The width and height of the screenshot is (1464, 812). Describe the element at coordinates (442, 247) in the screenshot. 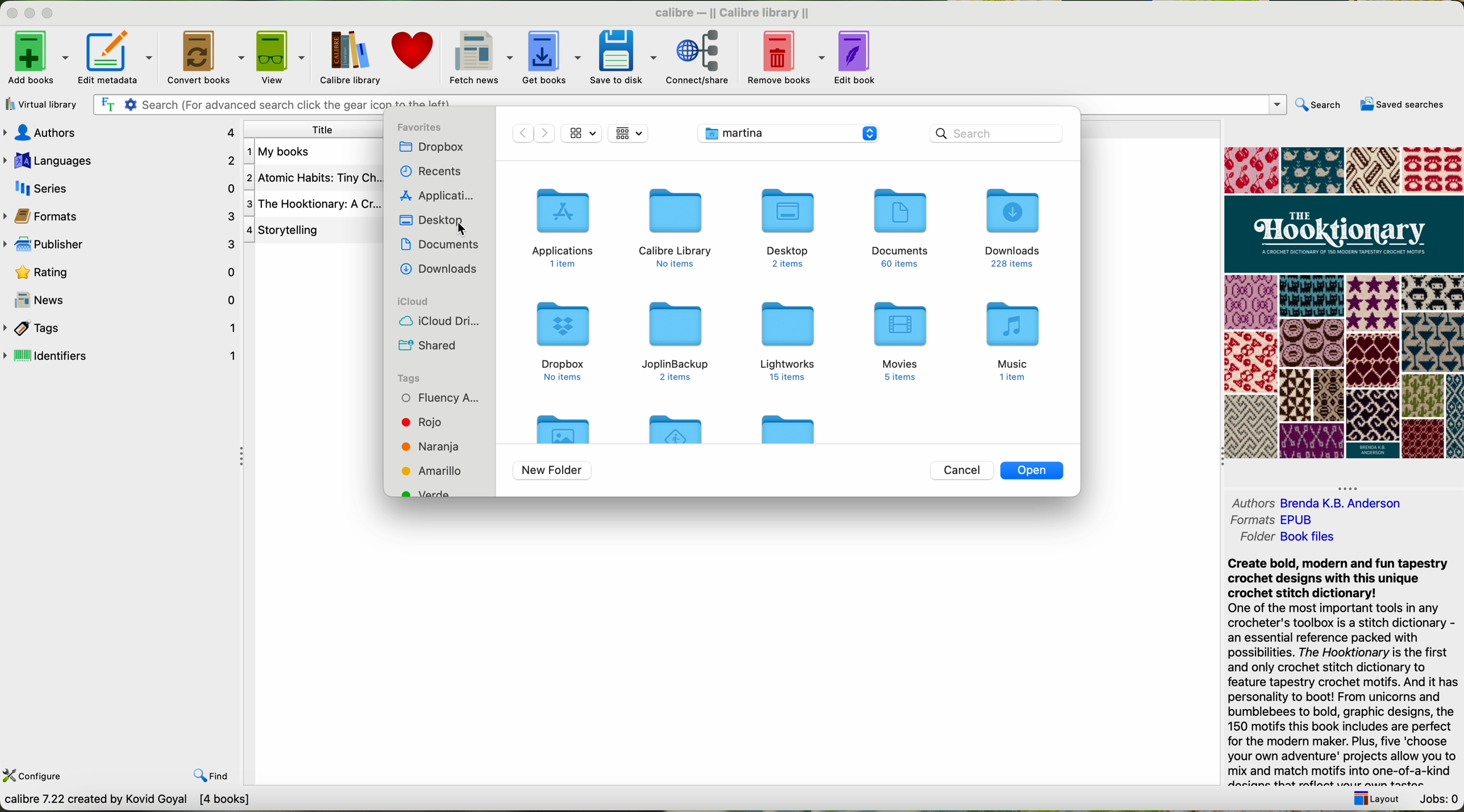

I see `documents` at that location.